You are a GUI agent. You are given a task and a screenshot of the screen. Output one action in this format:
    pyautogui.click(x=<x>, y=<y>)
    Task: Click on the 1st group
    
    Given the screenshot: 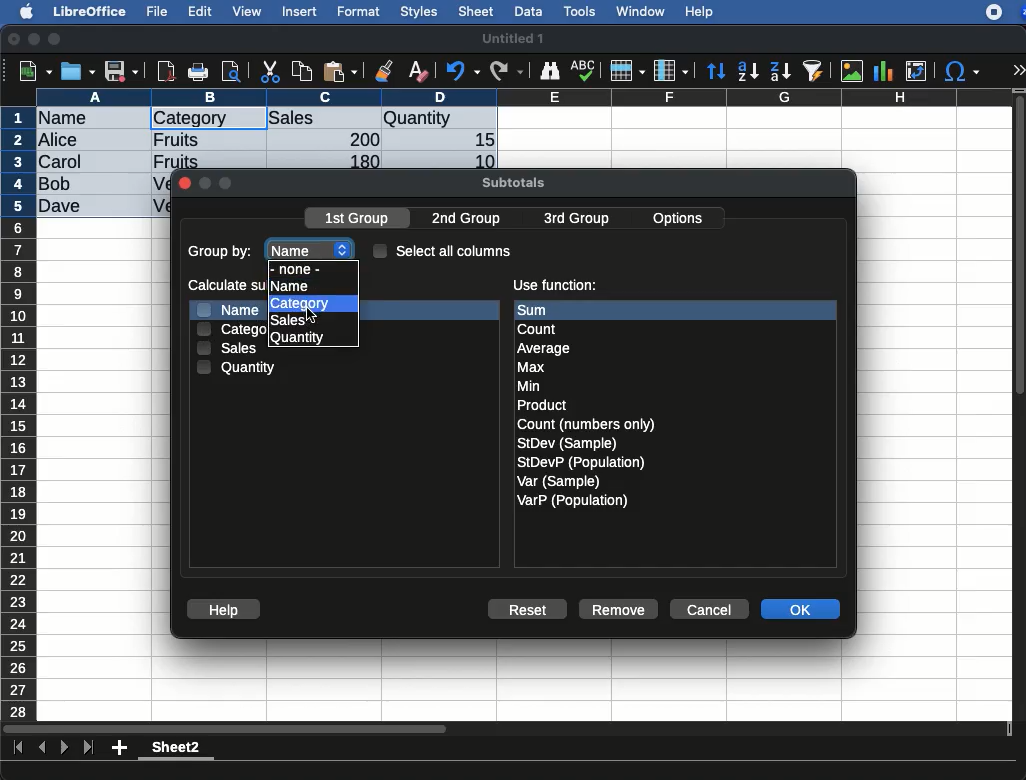 What is the action you would take?
    pyautogui.click(x=359, y=220)
    